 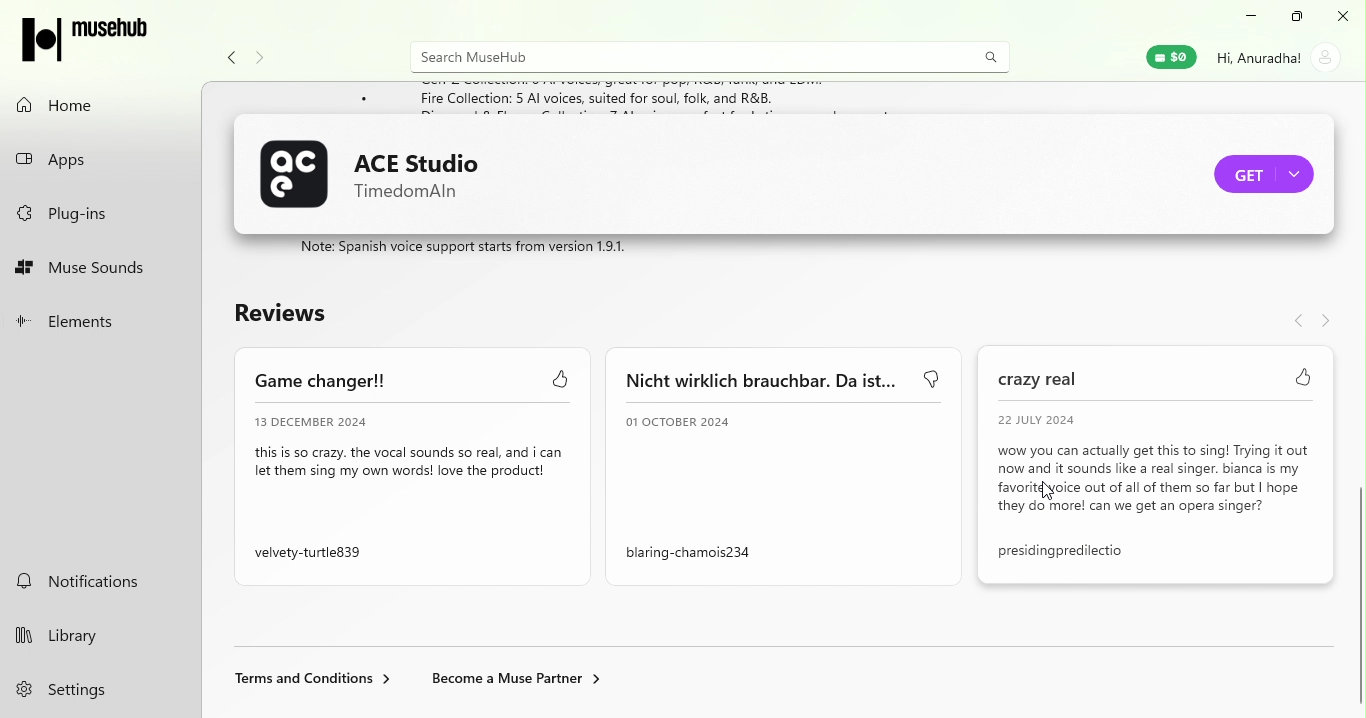 I want to click on muse sounds, so click(x=102, y=269).